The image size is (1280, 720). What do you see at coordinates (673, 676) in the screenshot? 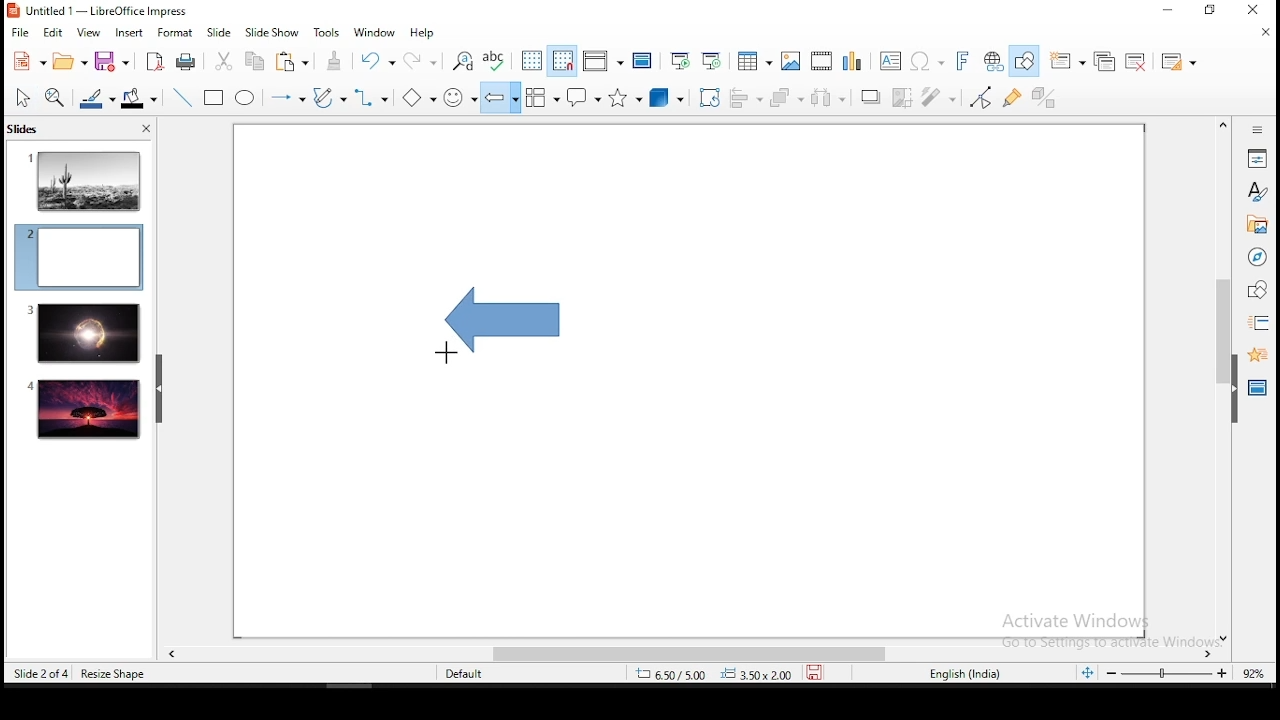
I see `8.60/-0.26` at bounding box center [673, 676].